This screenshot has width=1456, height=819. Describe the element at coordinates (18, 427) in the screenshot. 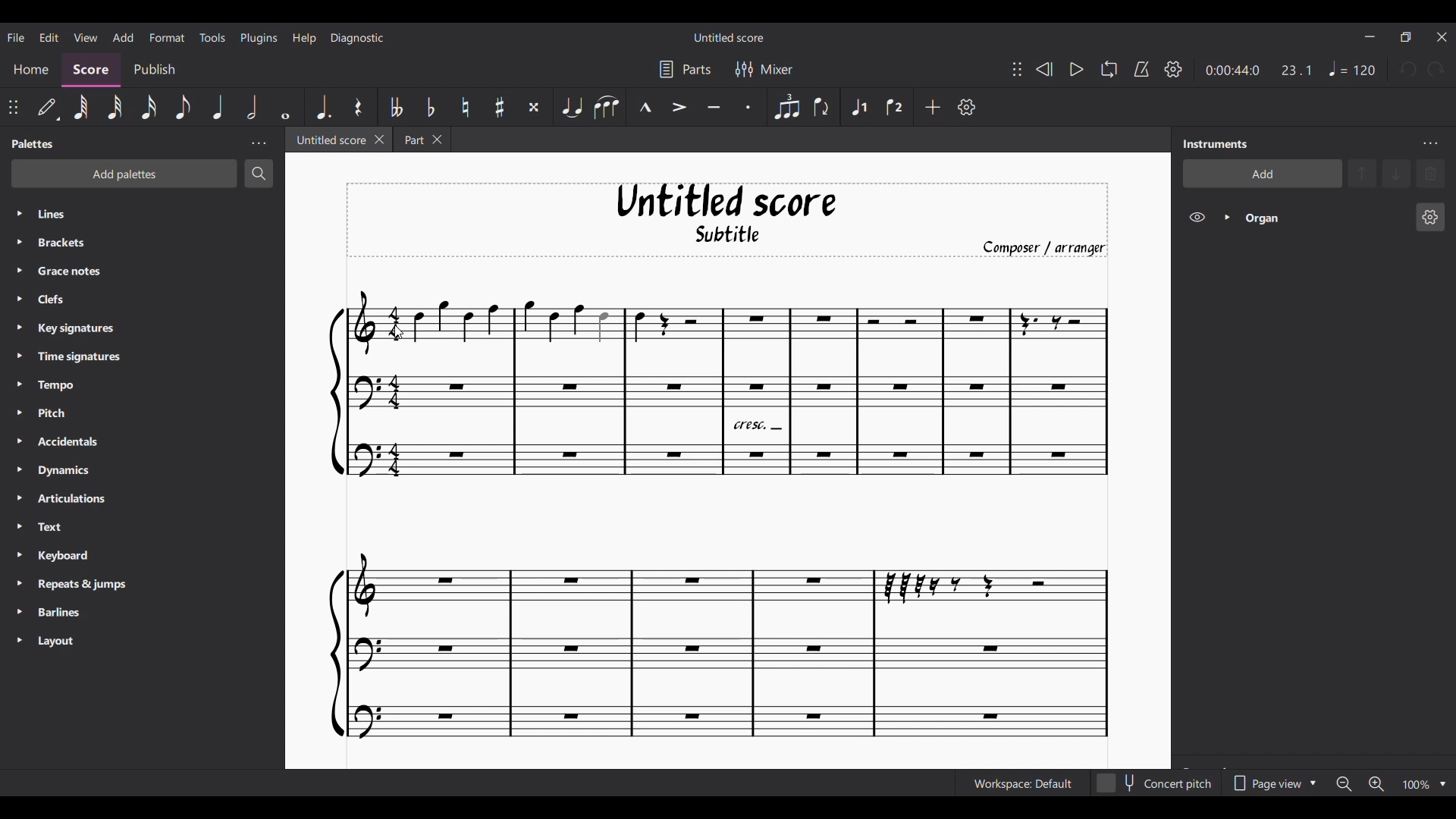

I see `Expand respective palette lines` at that location.